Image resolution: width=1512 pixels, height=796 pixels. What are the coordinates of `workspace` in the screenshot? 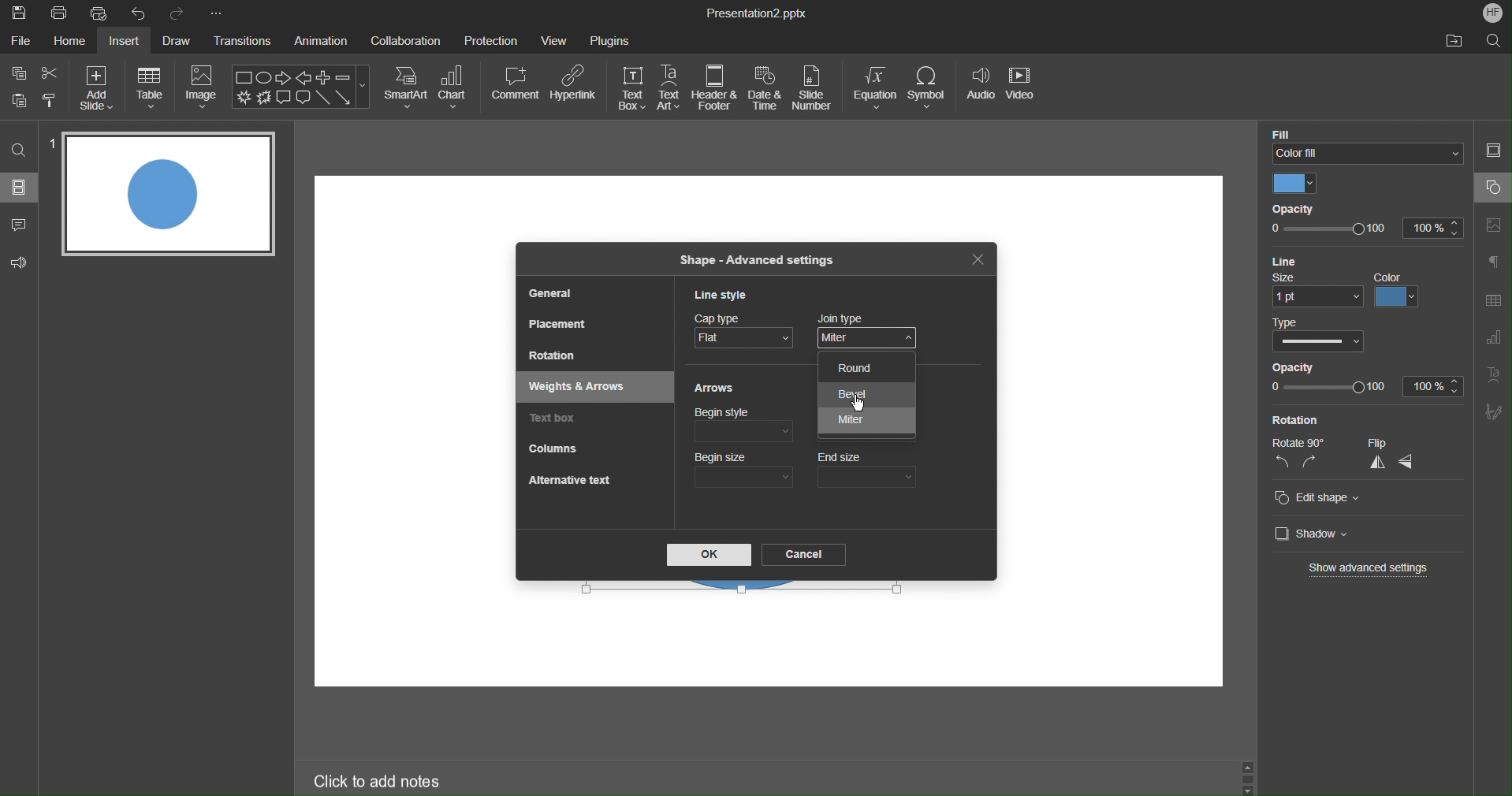 It's located at (868, 655).